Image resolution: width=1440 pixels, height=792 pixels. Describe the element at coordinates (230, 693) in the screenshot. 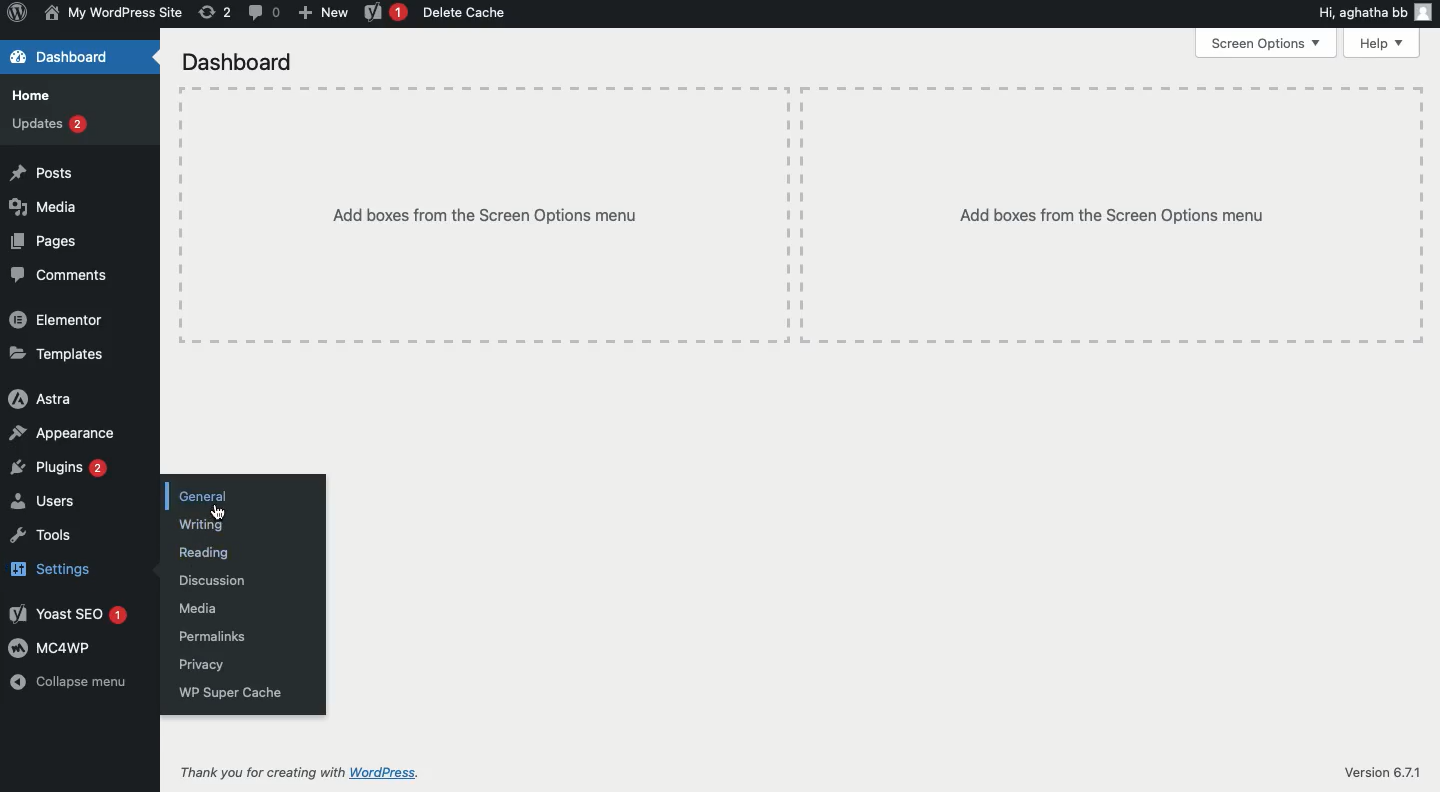

I see `WP super cache` at that location.